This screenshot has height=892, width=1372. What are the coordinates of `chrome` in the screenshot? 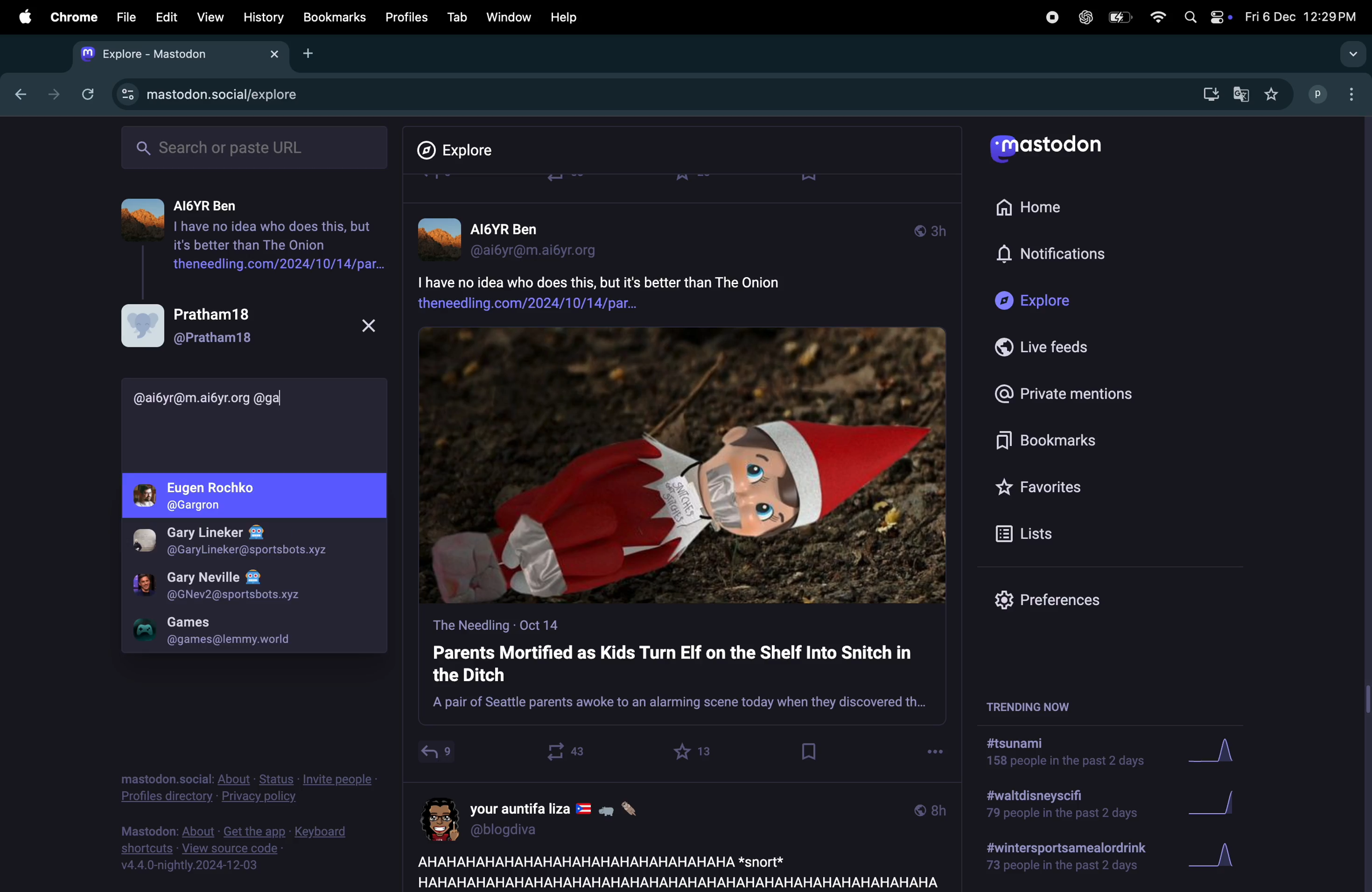 It's located at (71, 17).